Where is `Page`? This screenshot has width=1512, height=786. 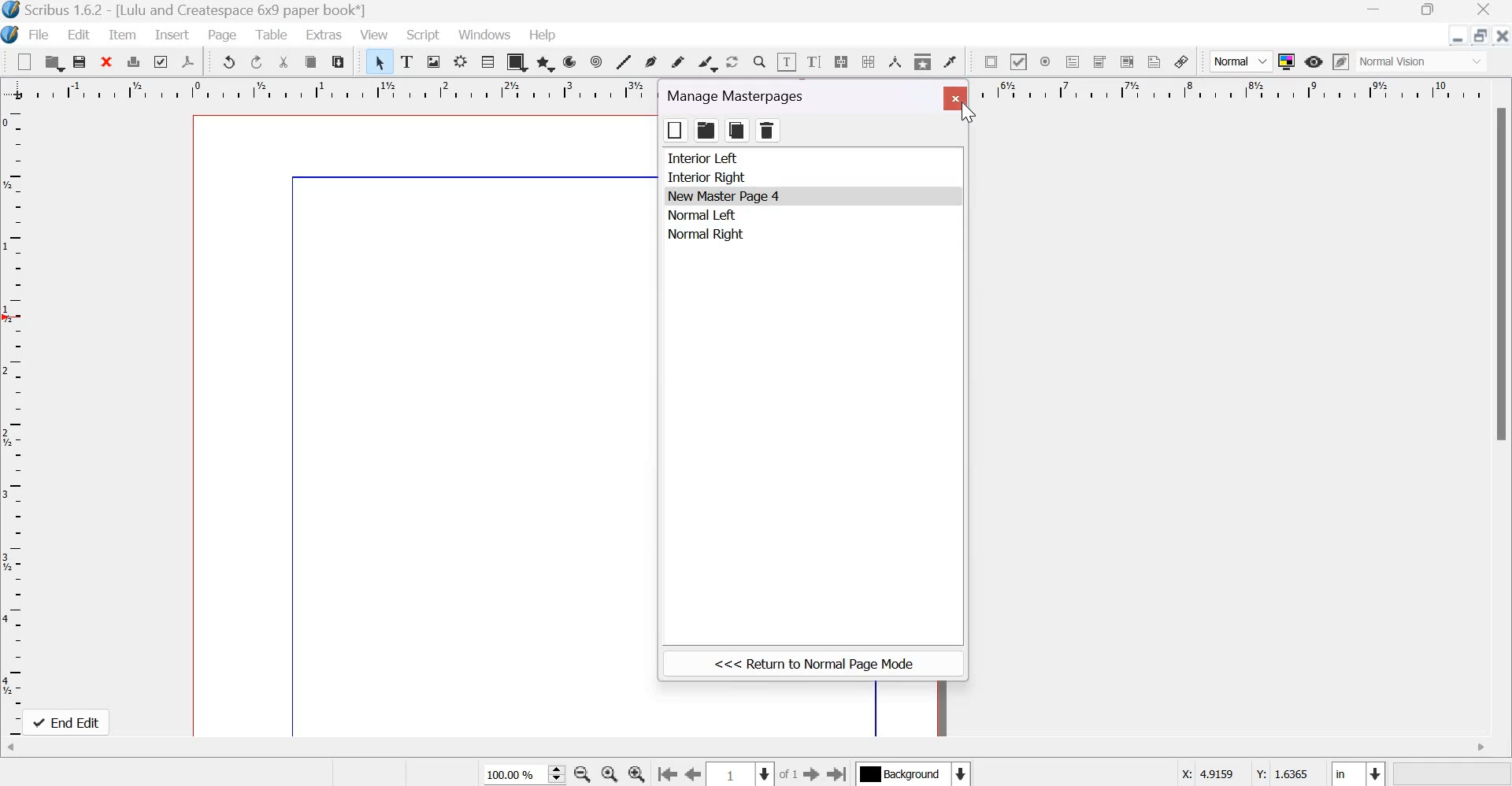
Page is located at coordinates (222, 35).